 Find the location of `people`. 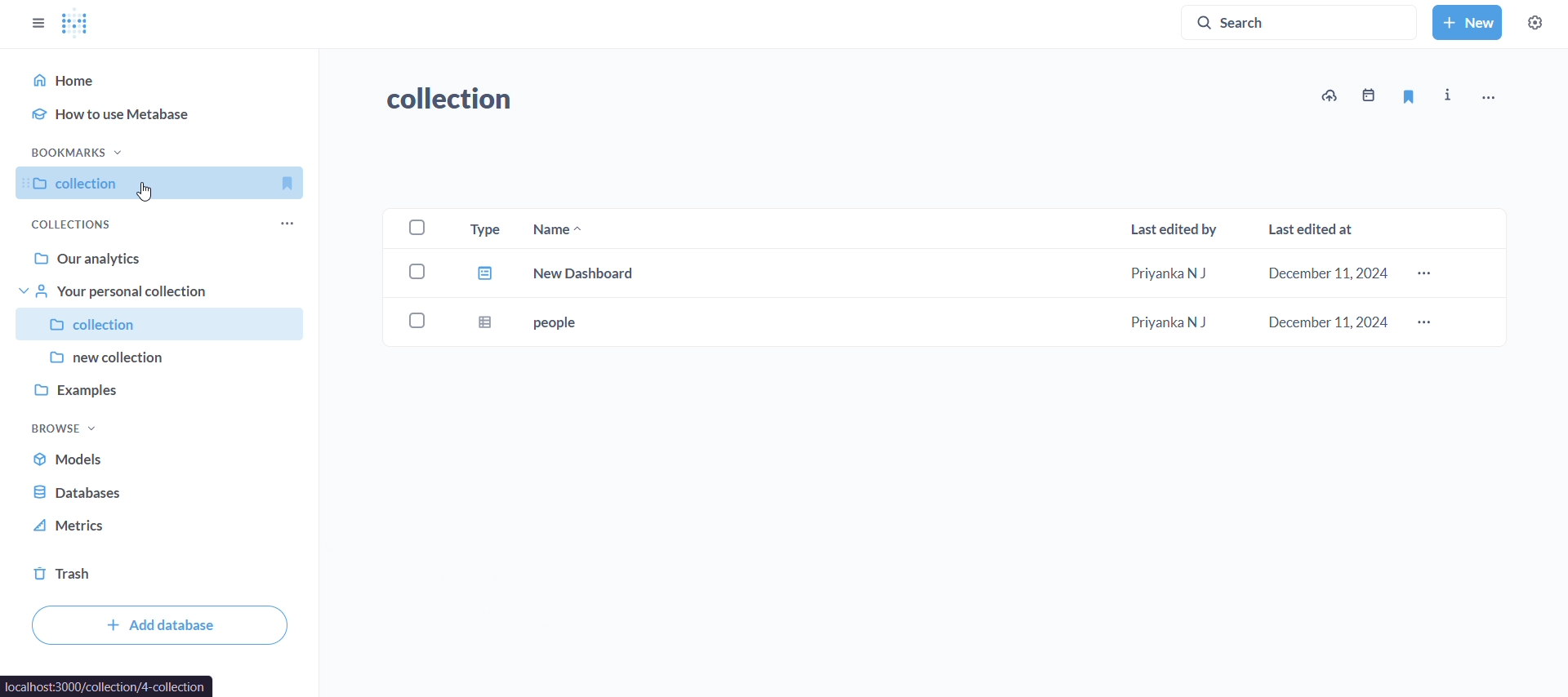

people is located at coordinates (621, 318).